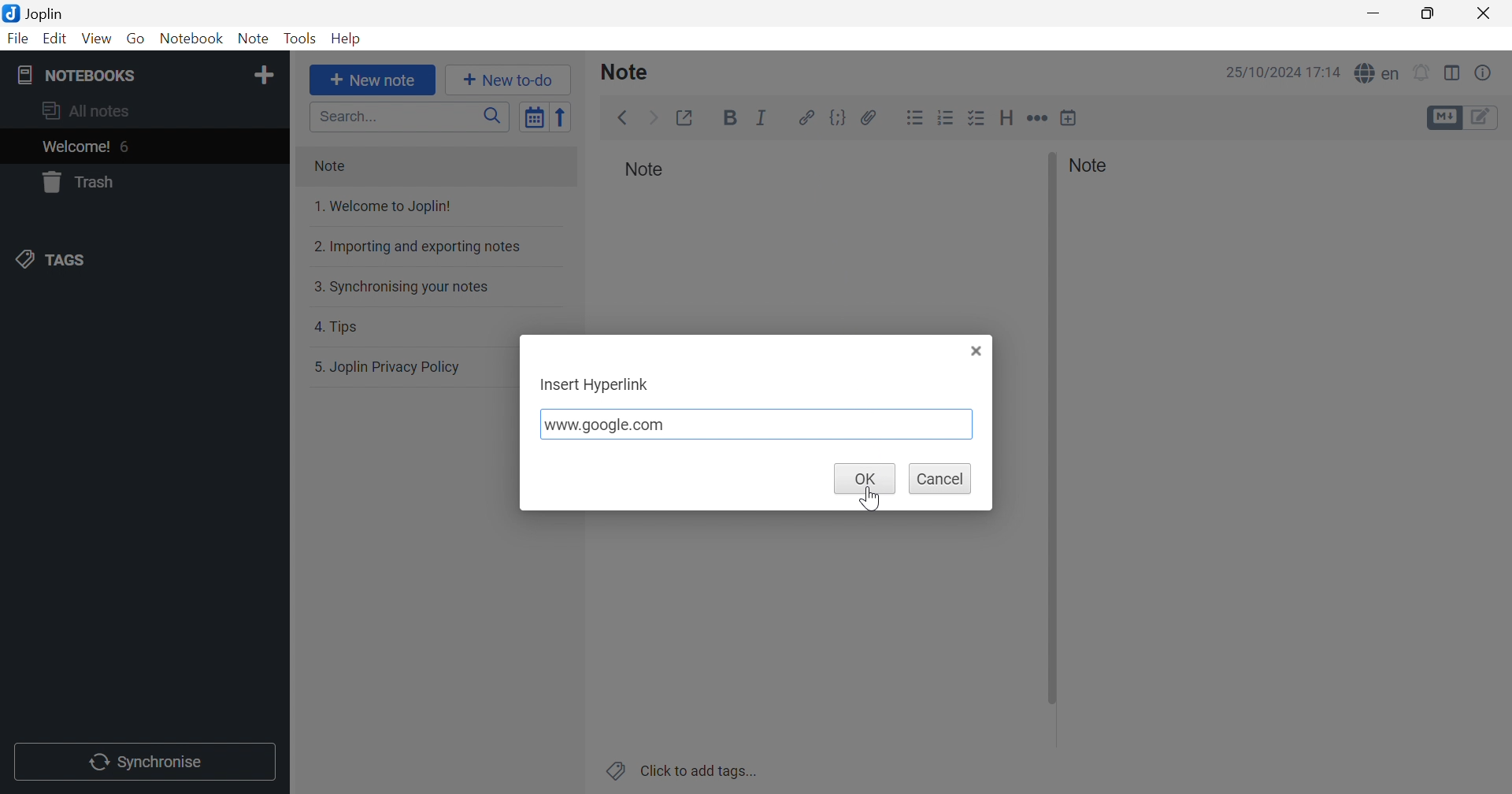  What do you see at coordinates (435, 168) in the screenshot?
I see `Note` at bounding box center [435, 168].